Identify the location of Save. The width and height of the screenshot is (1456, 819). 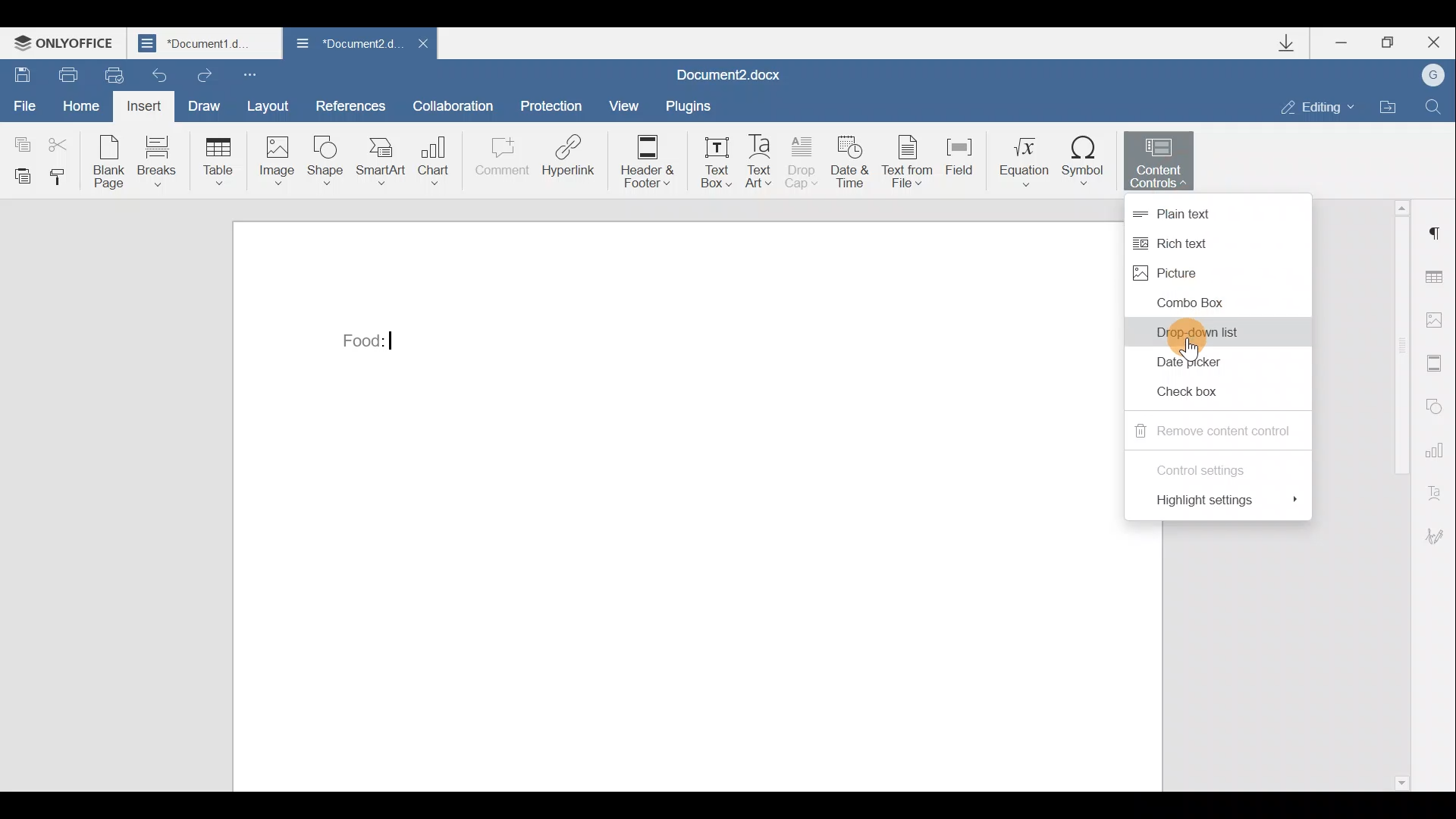
(17, 73).